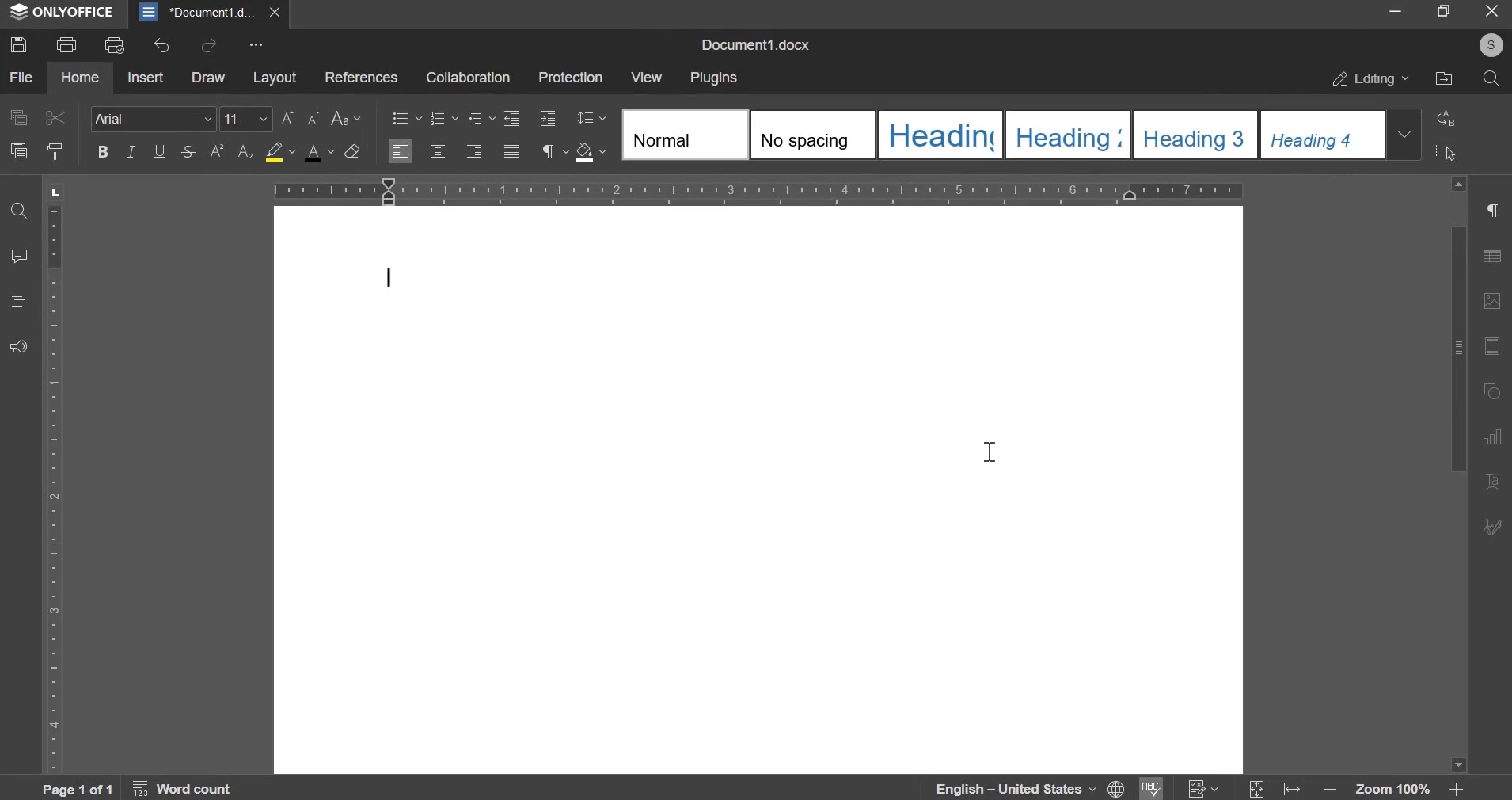 The height and width of the screenshot is (800, 1512). I want to click on increase indent, so click(549, 120).